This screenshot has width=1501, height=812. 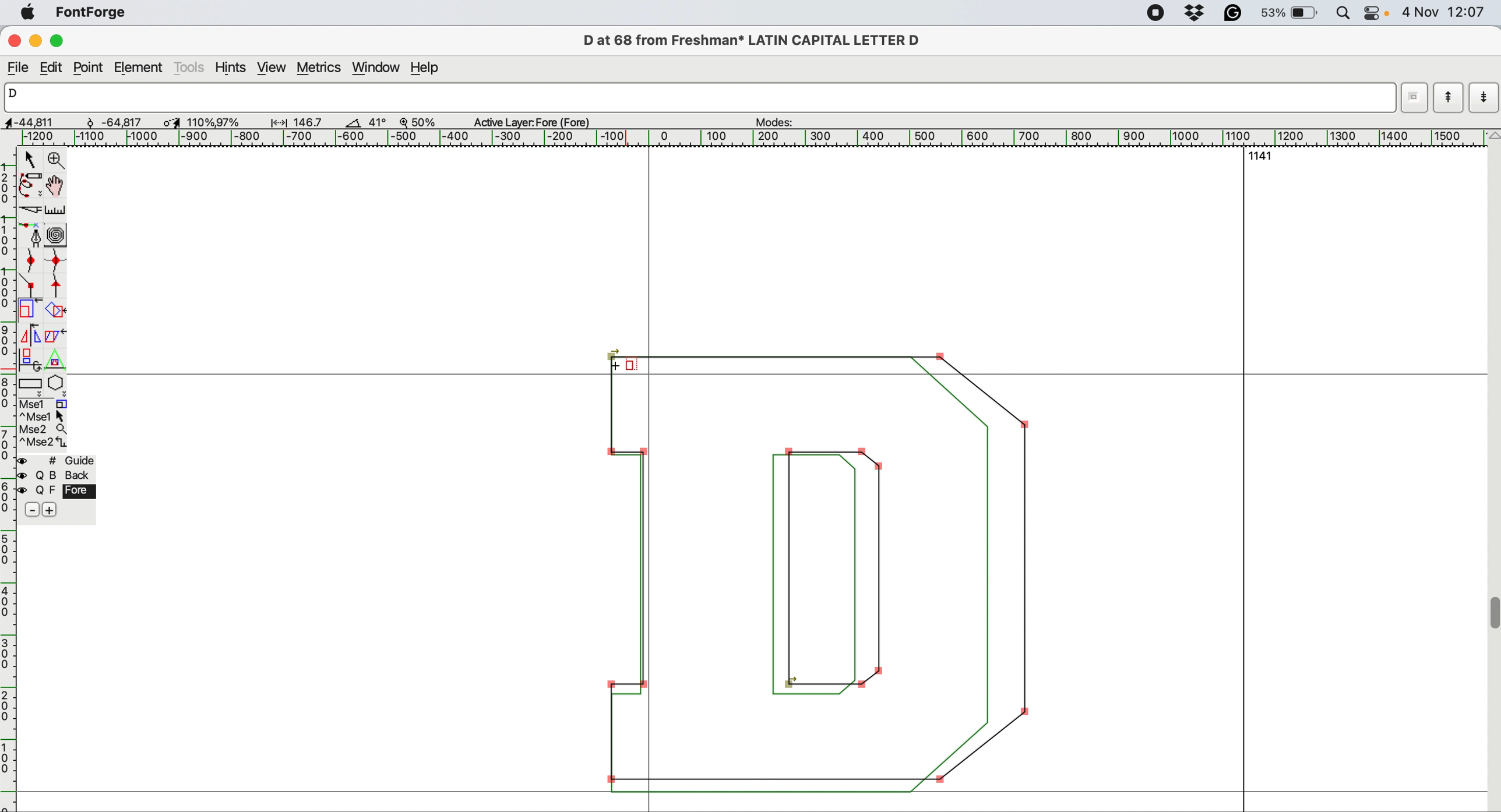 What do you see at coordinates (31, 159) in the screenshot?
I see `pointer` at bounding box center [31, 159].